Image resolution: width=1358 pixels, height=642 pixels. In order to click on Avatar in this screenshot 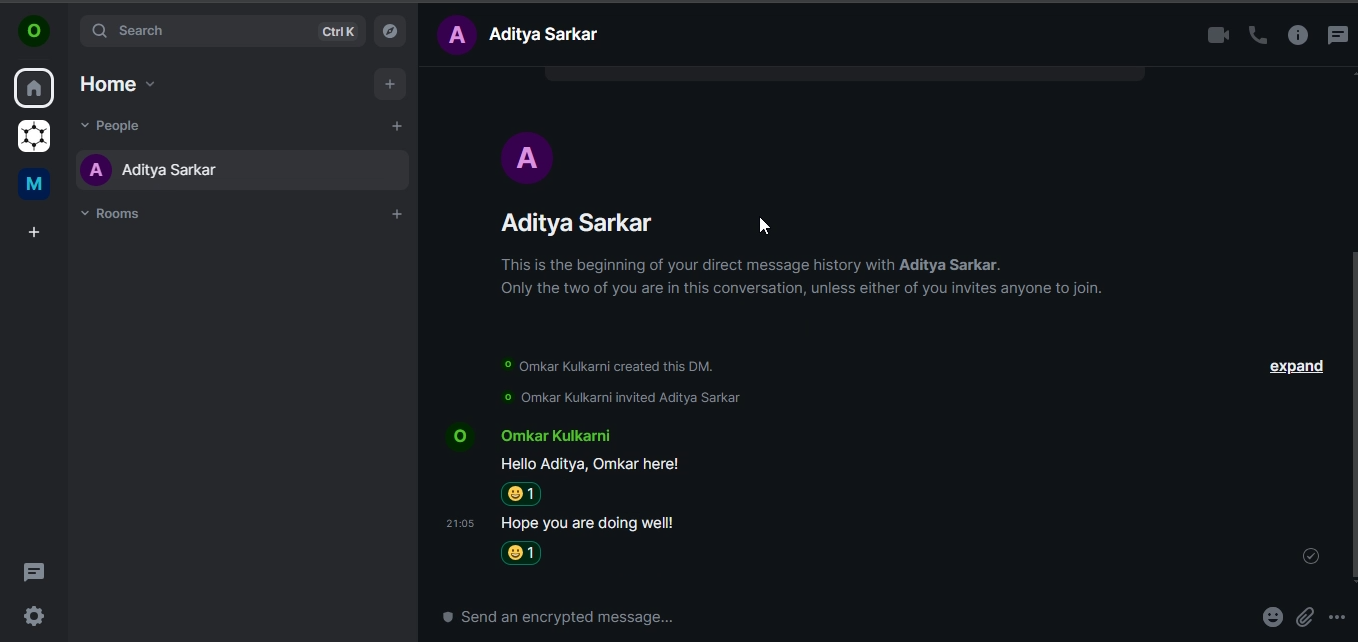, I will do `click(456, 434)`.